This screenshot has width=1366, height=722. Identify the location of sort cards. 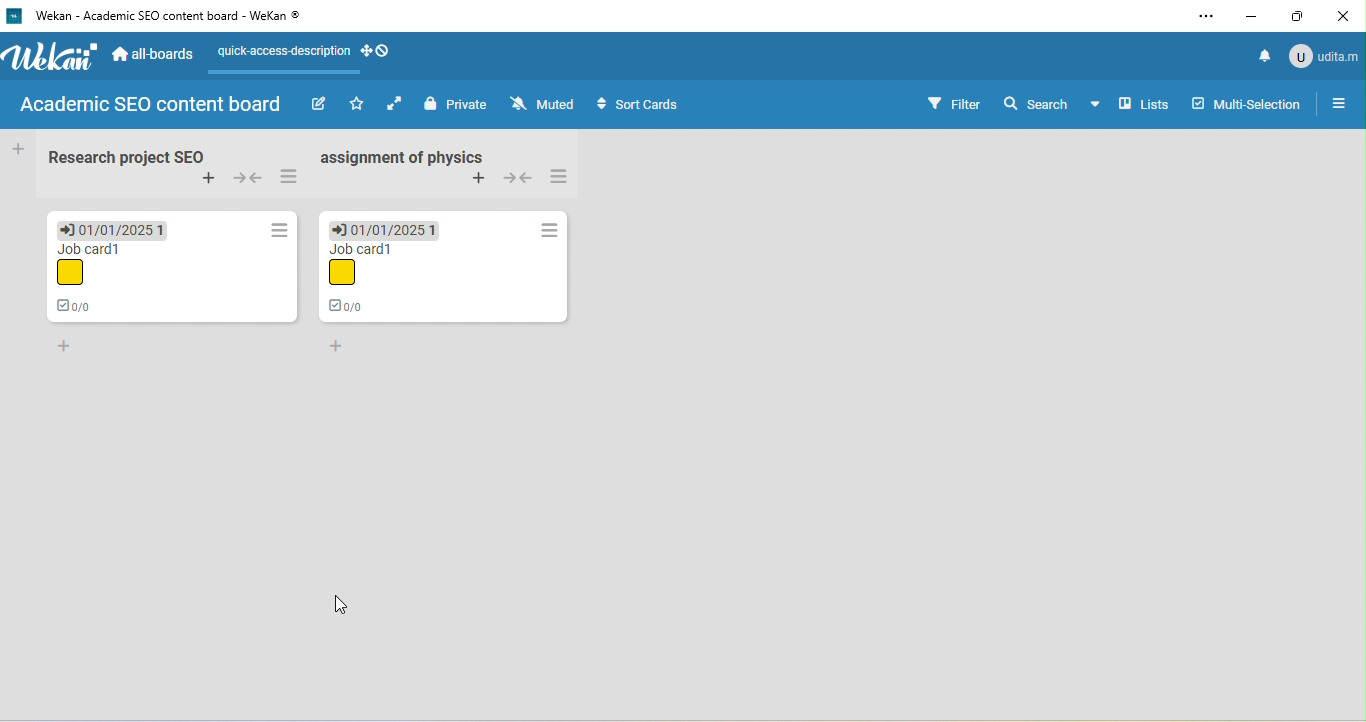
(644, 107).